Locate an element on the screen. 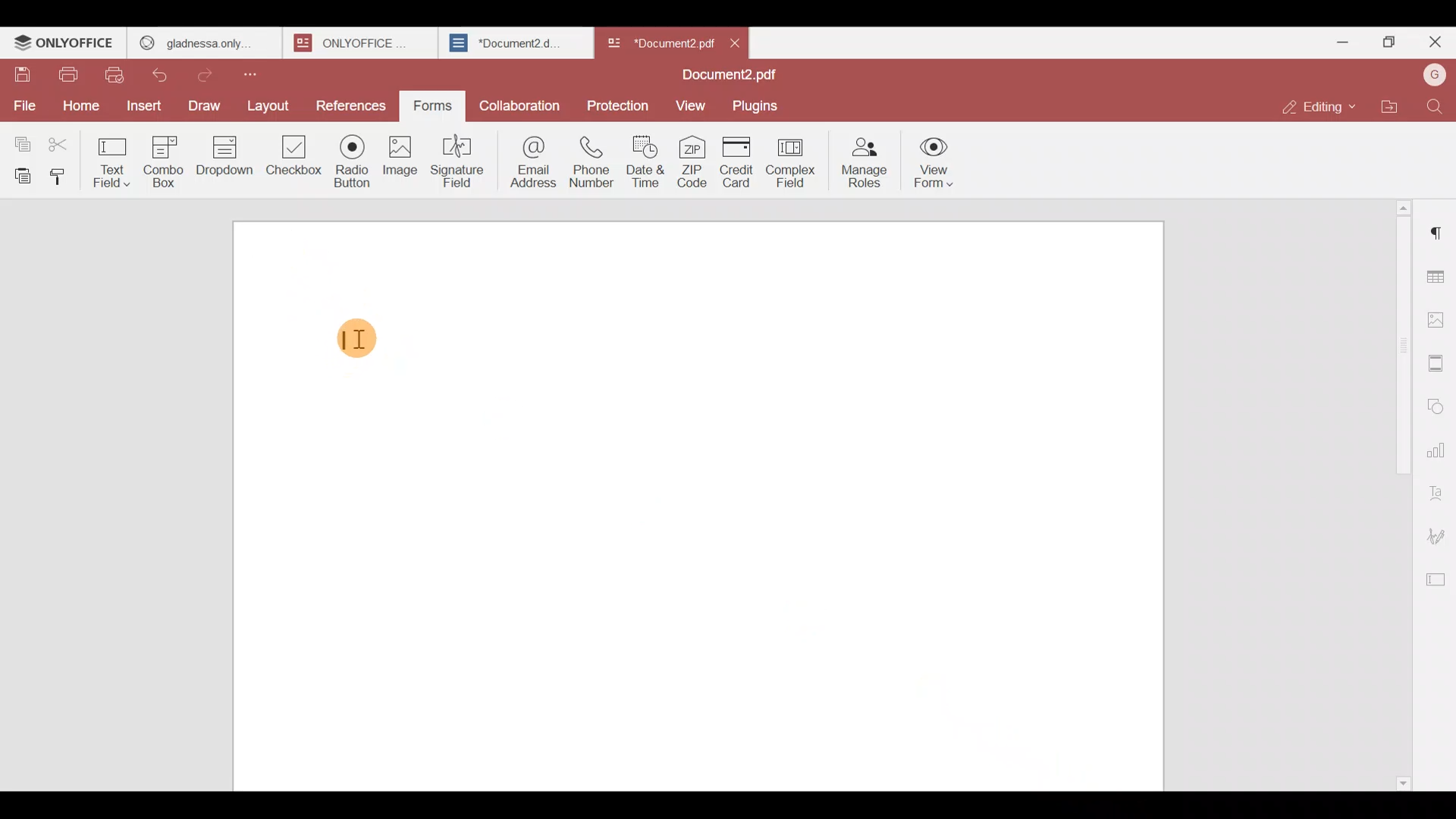  Customize quick access toolbar is located at coordinates (265, 73).